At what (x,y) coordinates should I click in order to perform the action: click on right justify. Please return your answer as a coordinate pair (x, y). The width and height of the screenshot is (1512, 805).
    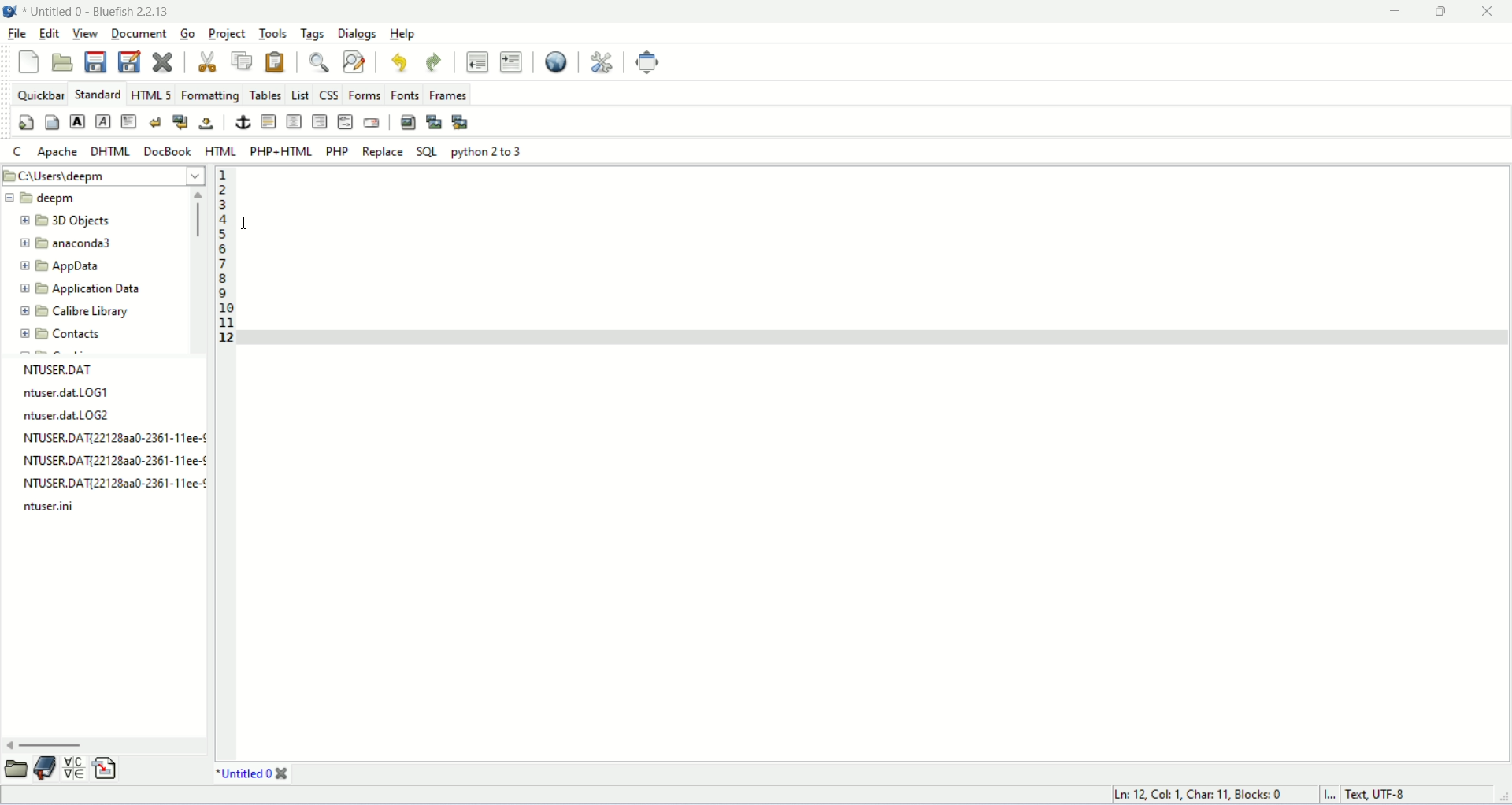
    Looking at the image, I should click on (322, 124).